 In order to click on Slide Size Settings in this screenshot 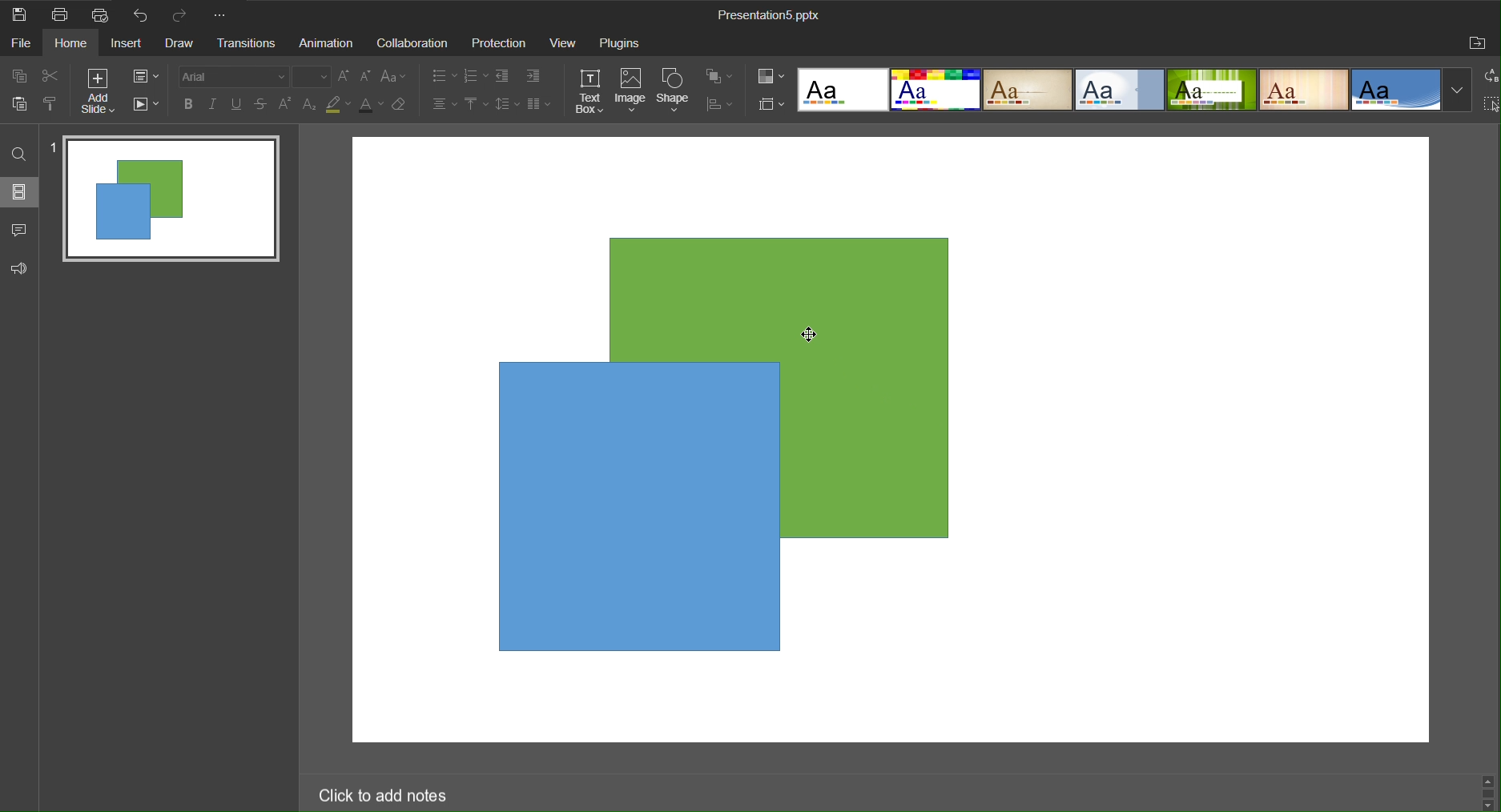, I will do `click(768, 104)`.